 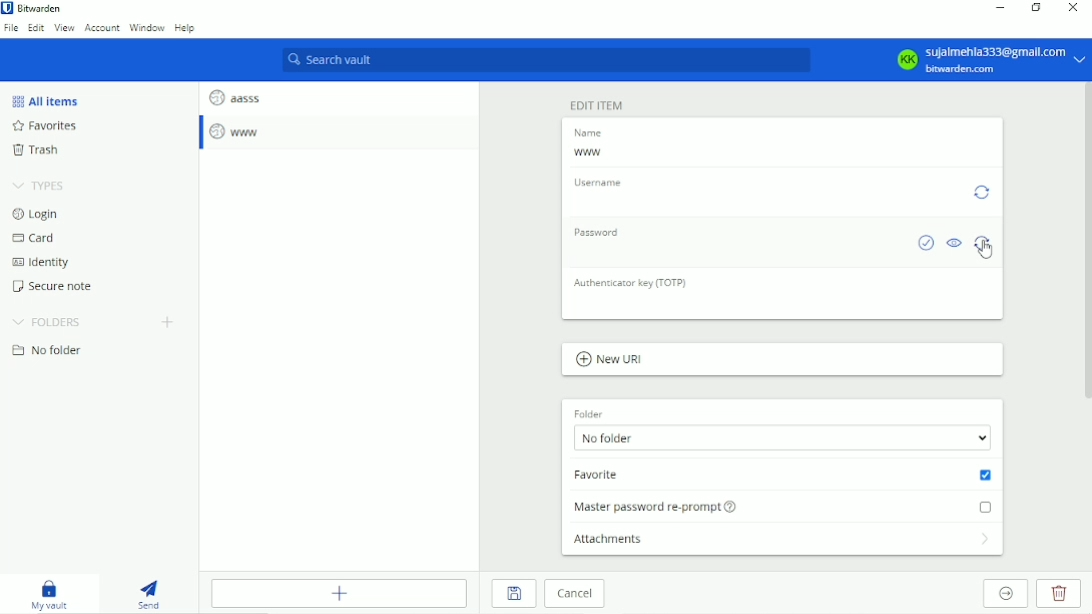 I want to click on Window, so click(x=148, y=28).